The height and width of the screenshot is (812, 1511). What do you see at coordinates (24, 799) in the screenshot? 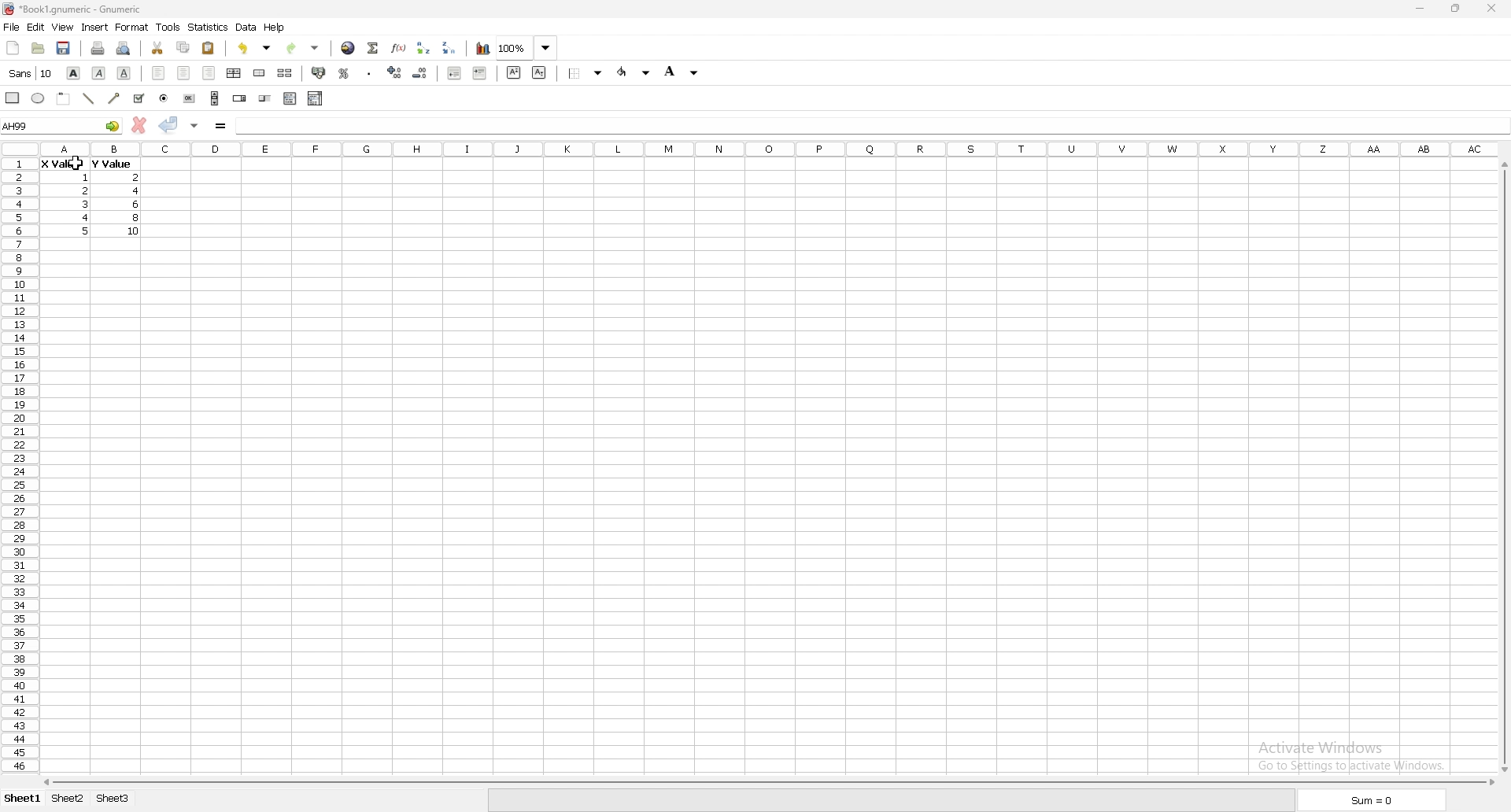
I see `sheet 1` at bounding box center [24, 799].